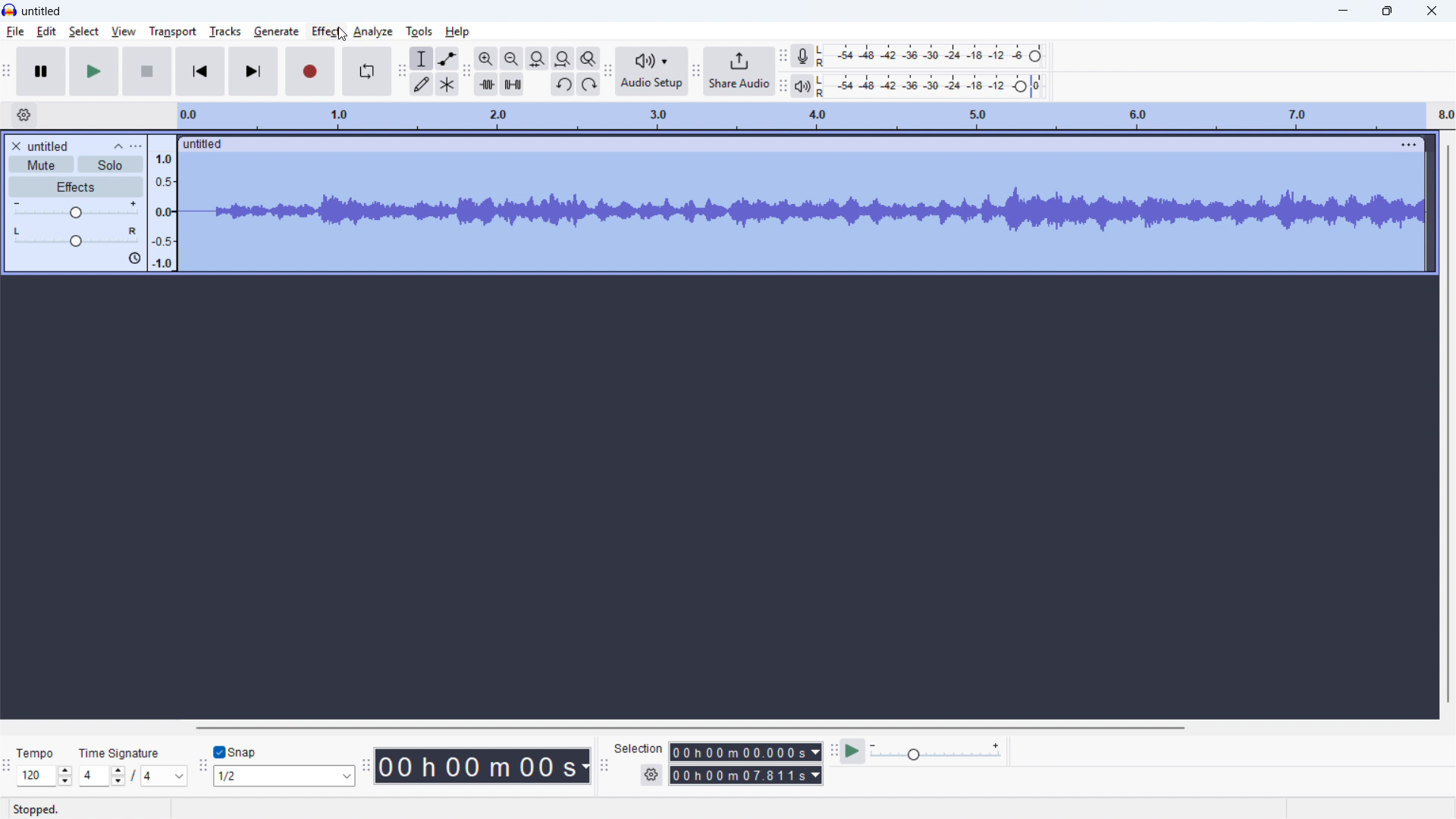  What do you see at coordinates (276, 31) in the screenshot?
I see `generate` at bounding box center [276, 31].